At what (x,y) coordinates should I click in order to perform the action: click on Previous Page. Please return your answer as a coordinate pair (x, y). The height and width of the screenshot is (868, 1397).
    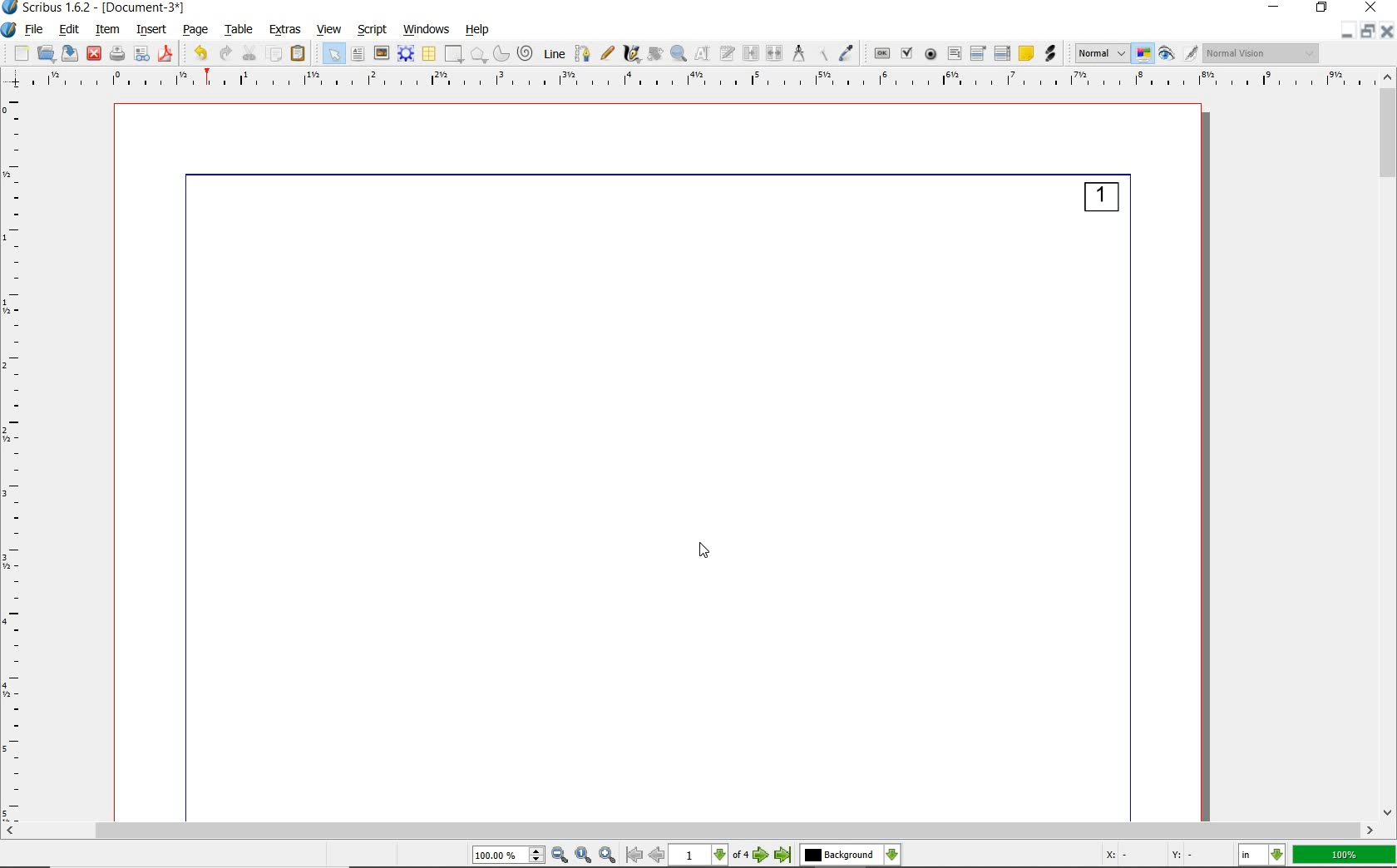
    Looking at the image, I should click on (657, 856).